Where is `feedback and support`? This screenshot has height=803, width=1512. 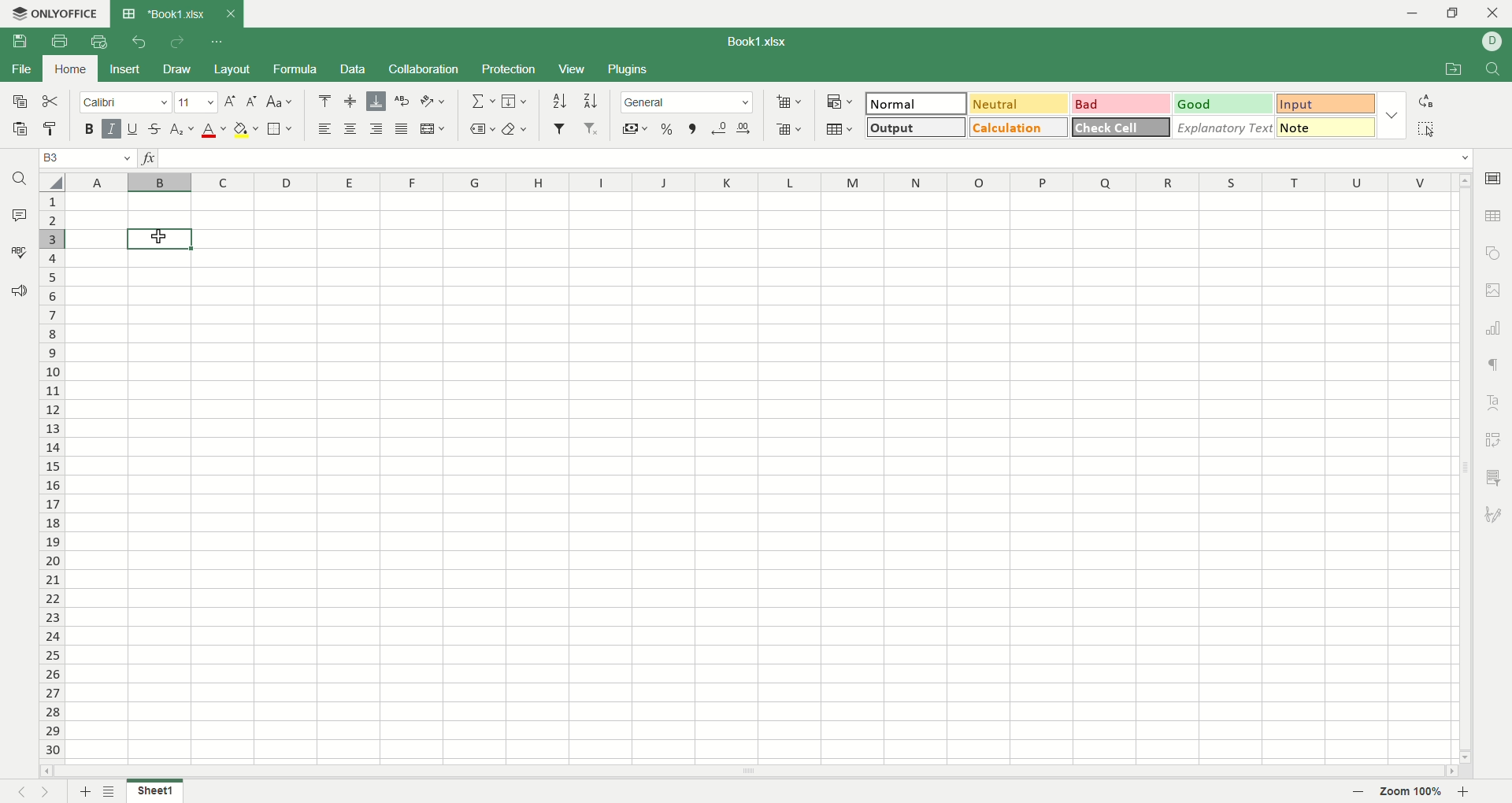 feedback and support is located at coordinates (18, 292).